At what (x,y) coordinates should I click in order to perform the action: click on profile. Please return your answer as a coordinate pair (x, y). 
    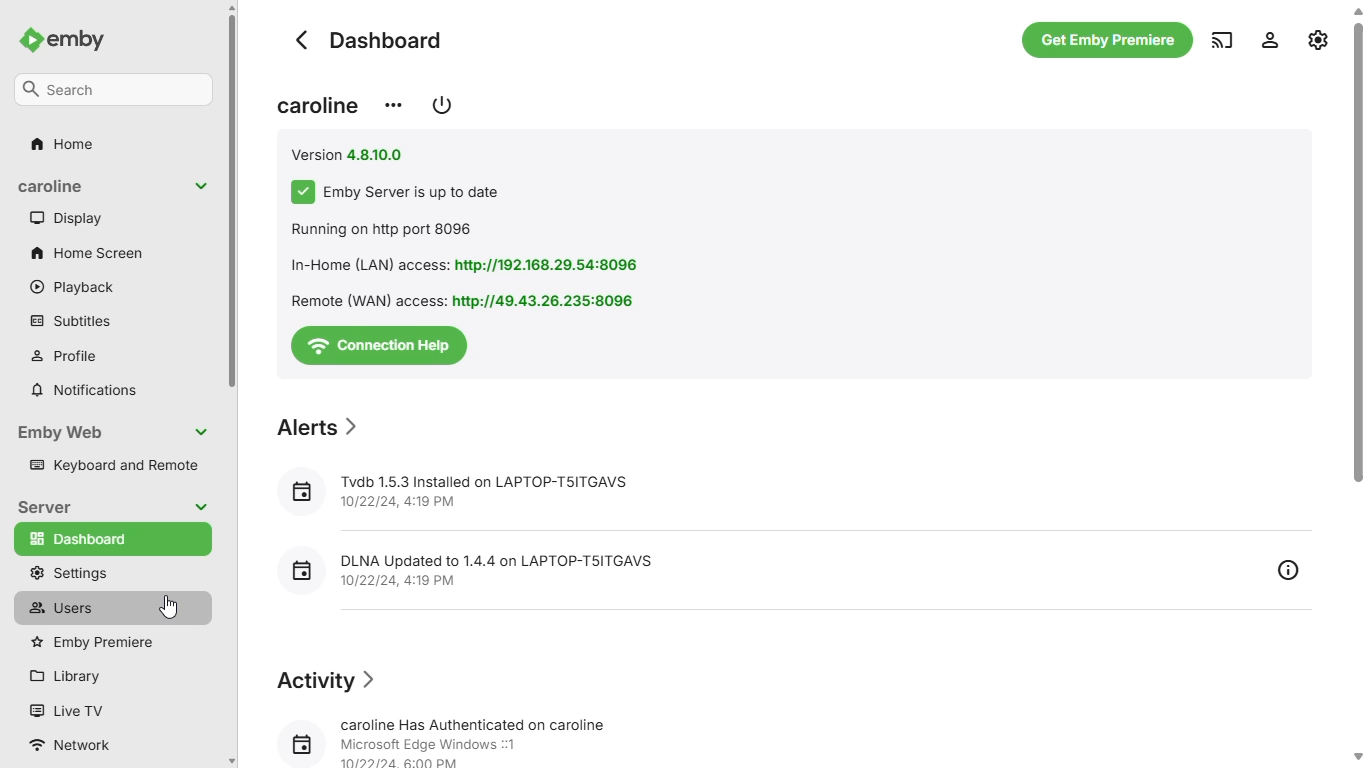
    Looking at the image, I should click on (66, 357).